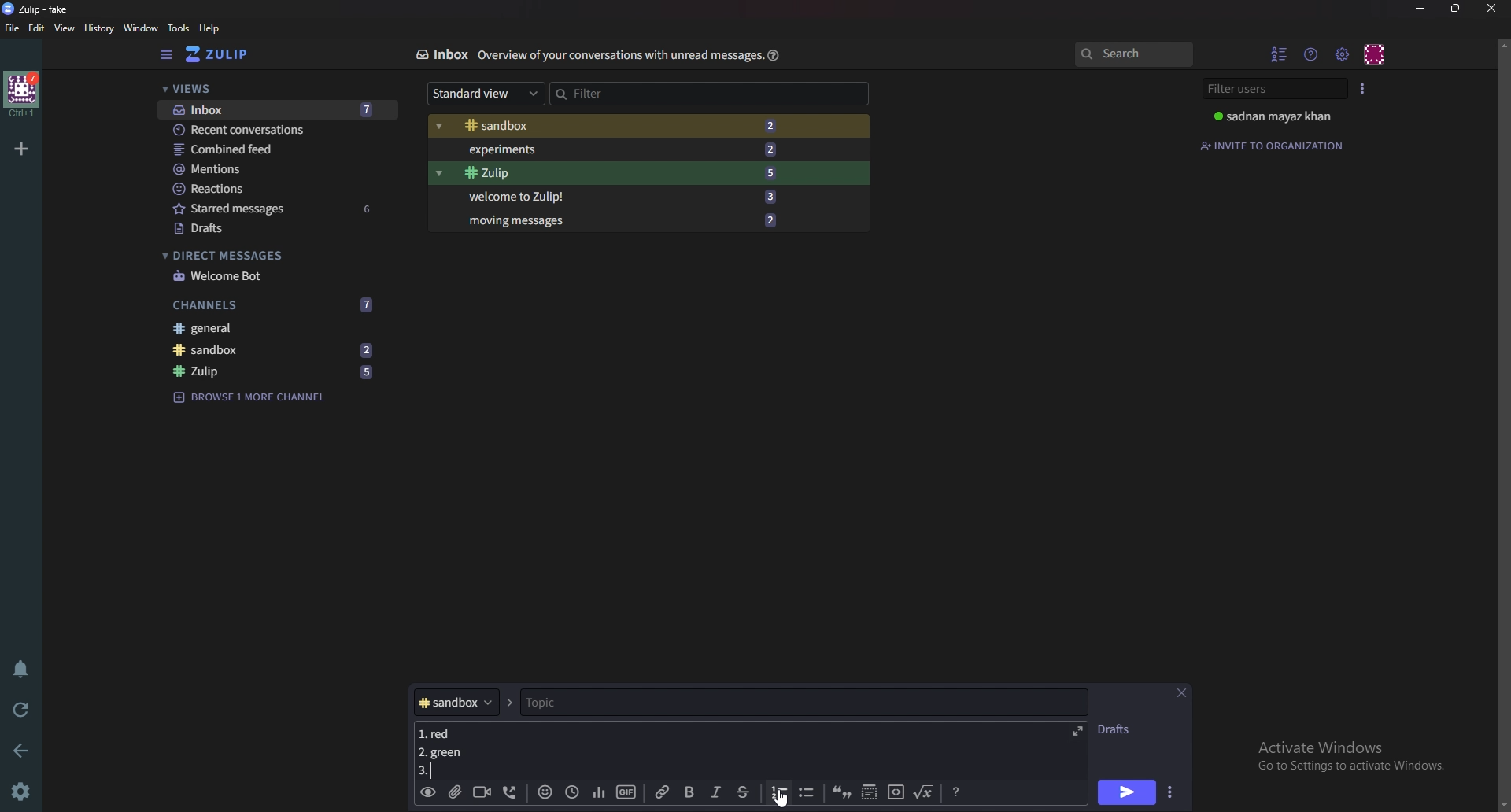 This screenshot has height=812, width=1511. I want to click on number list, so click(779, 792).